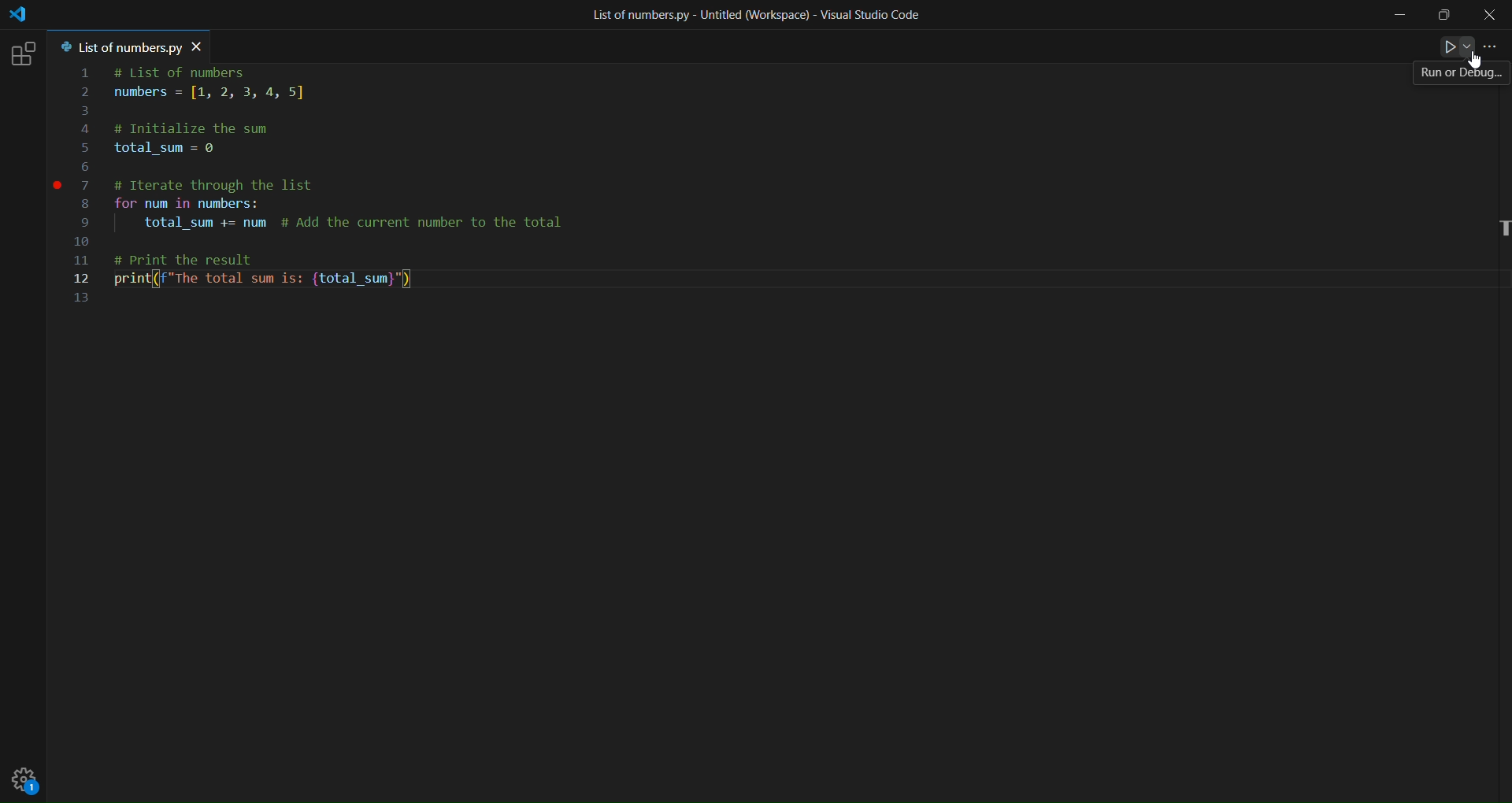 The height and width of the screenshot is (803, 1512). What do you see at coordinates (1496, 369) in the screenshot?
I see `scroll bar` at bounding box center [1496, 369].